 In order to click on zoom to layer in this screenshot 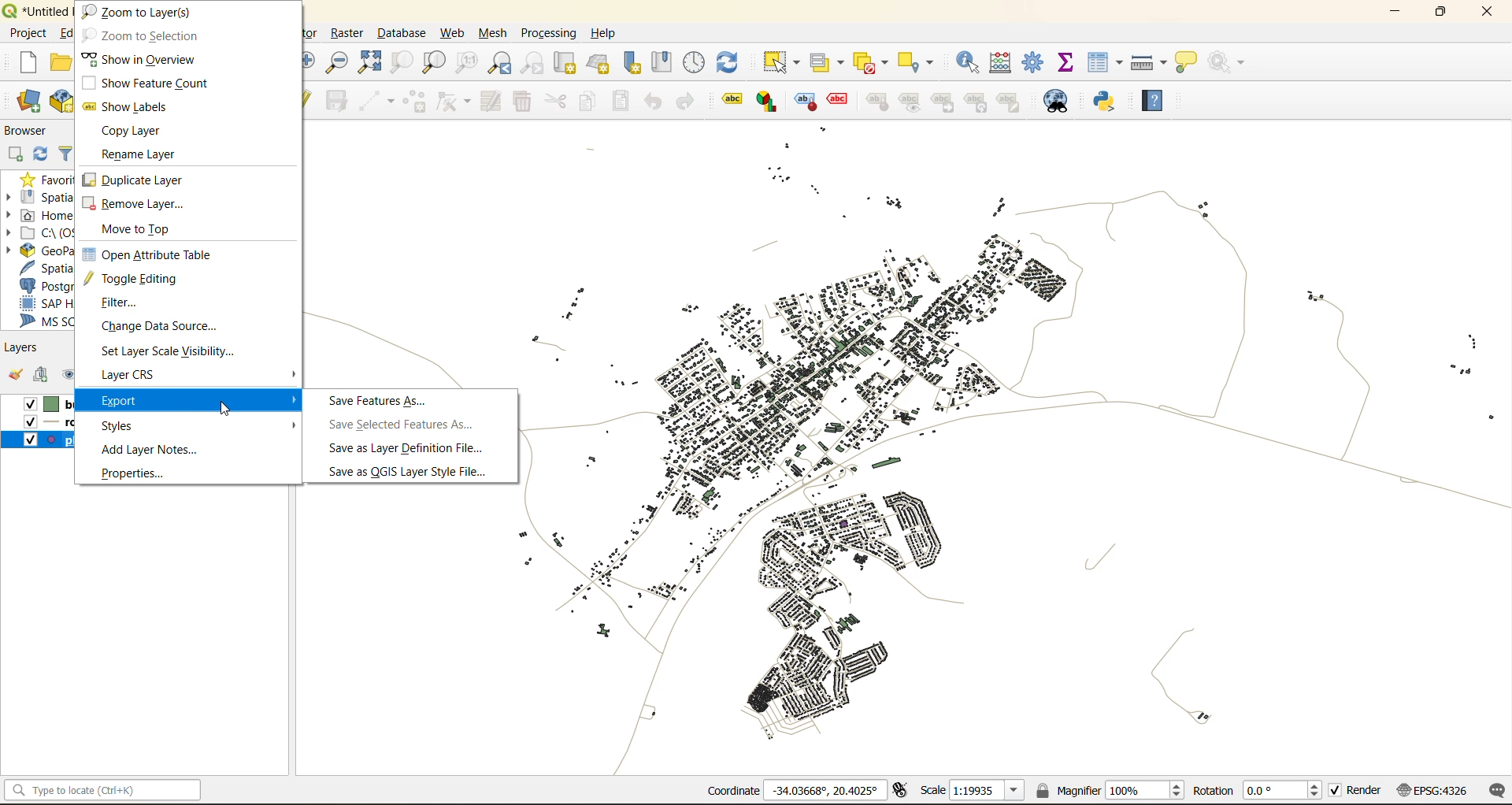, I will do `click(143, 12)`.